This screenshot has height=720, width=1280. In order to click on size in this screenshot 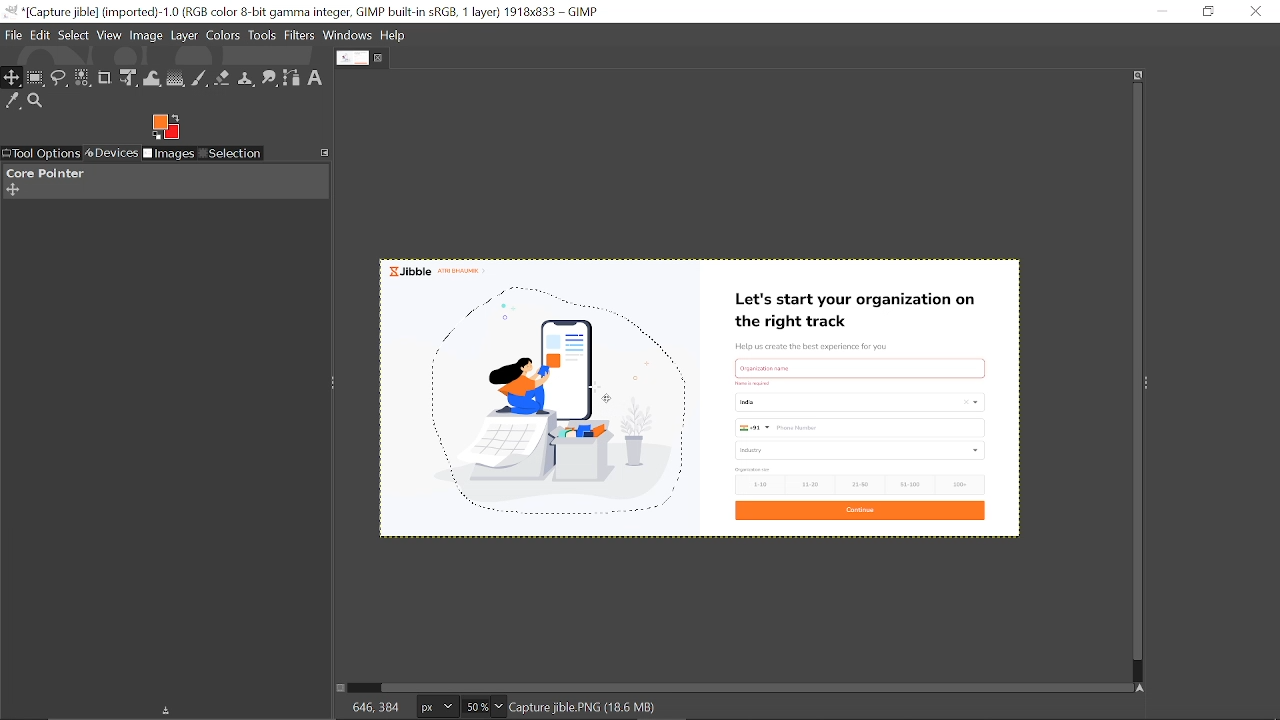, I will do `click(754, 469)`.